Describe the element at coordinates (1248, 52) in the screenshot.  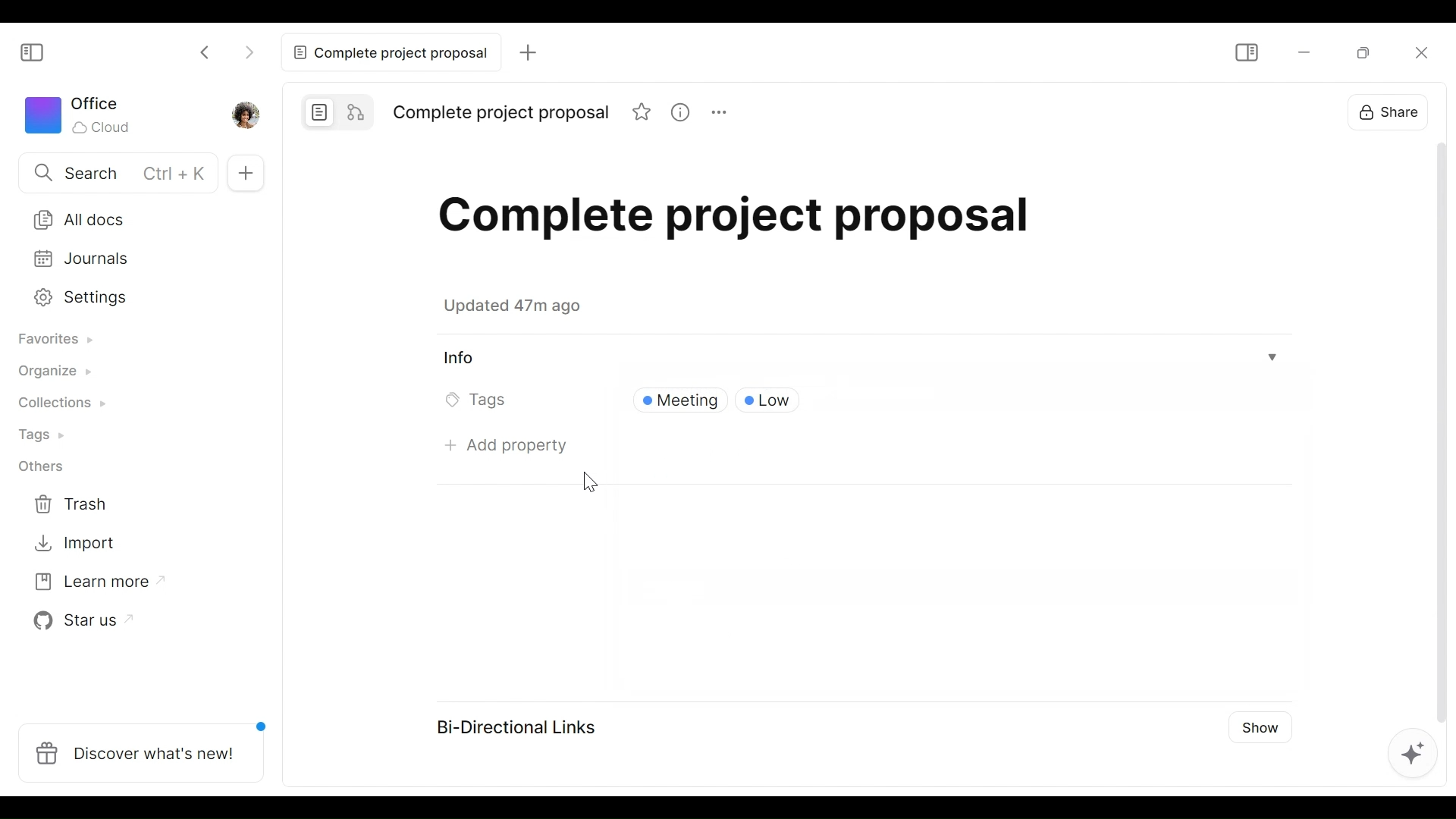
I see `Show/Hide Sidebar` at that location.